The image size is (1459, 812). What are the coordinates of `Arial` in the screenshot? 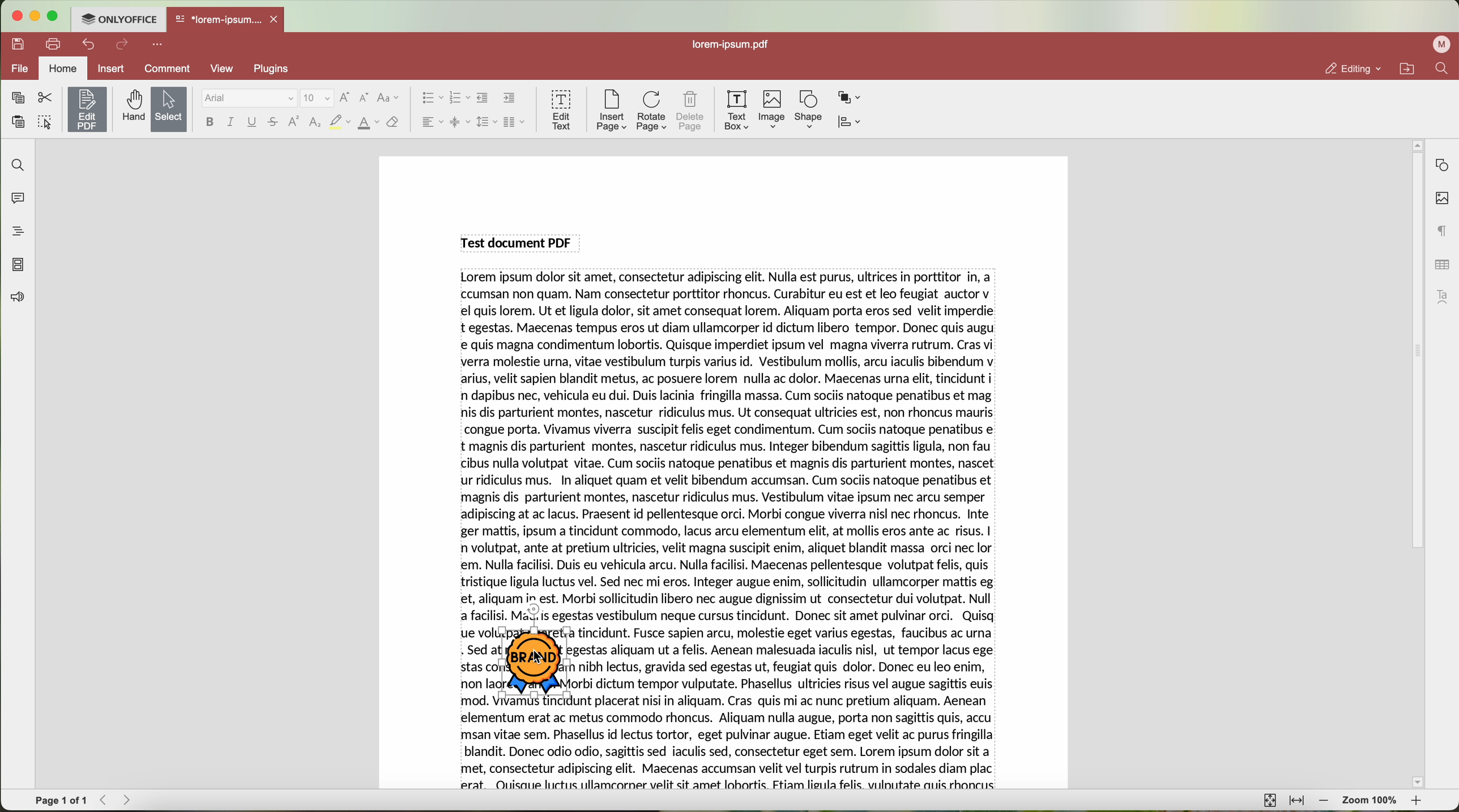 It's located at (248, 99).